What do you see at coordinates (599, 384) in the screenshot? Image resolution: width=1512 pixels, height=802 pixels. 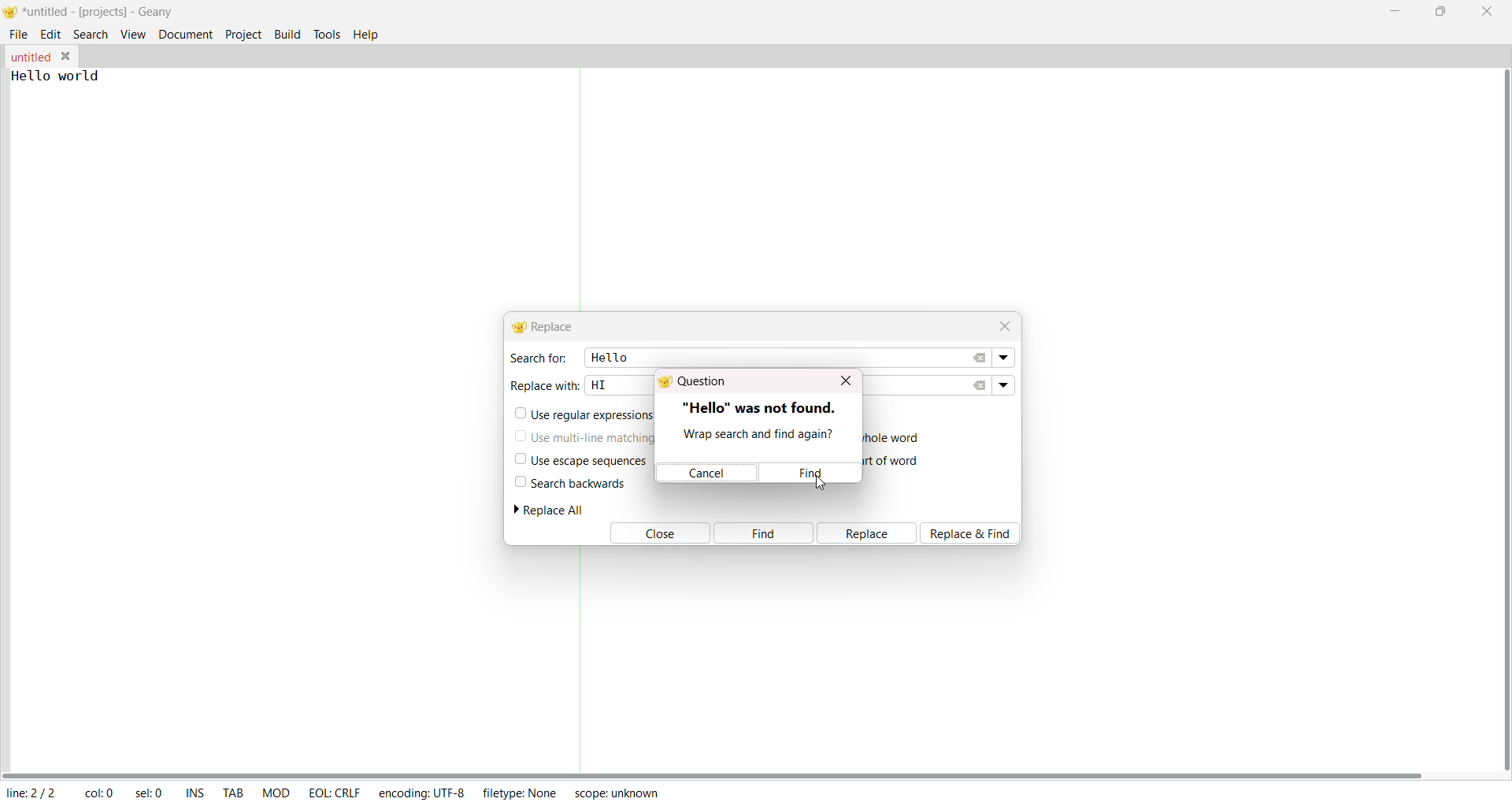 I see `HI` at bounding box center [599, 384].